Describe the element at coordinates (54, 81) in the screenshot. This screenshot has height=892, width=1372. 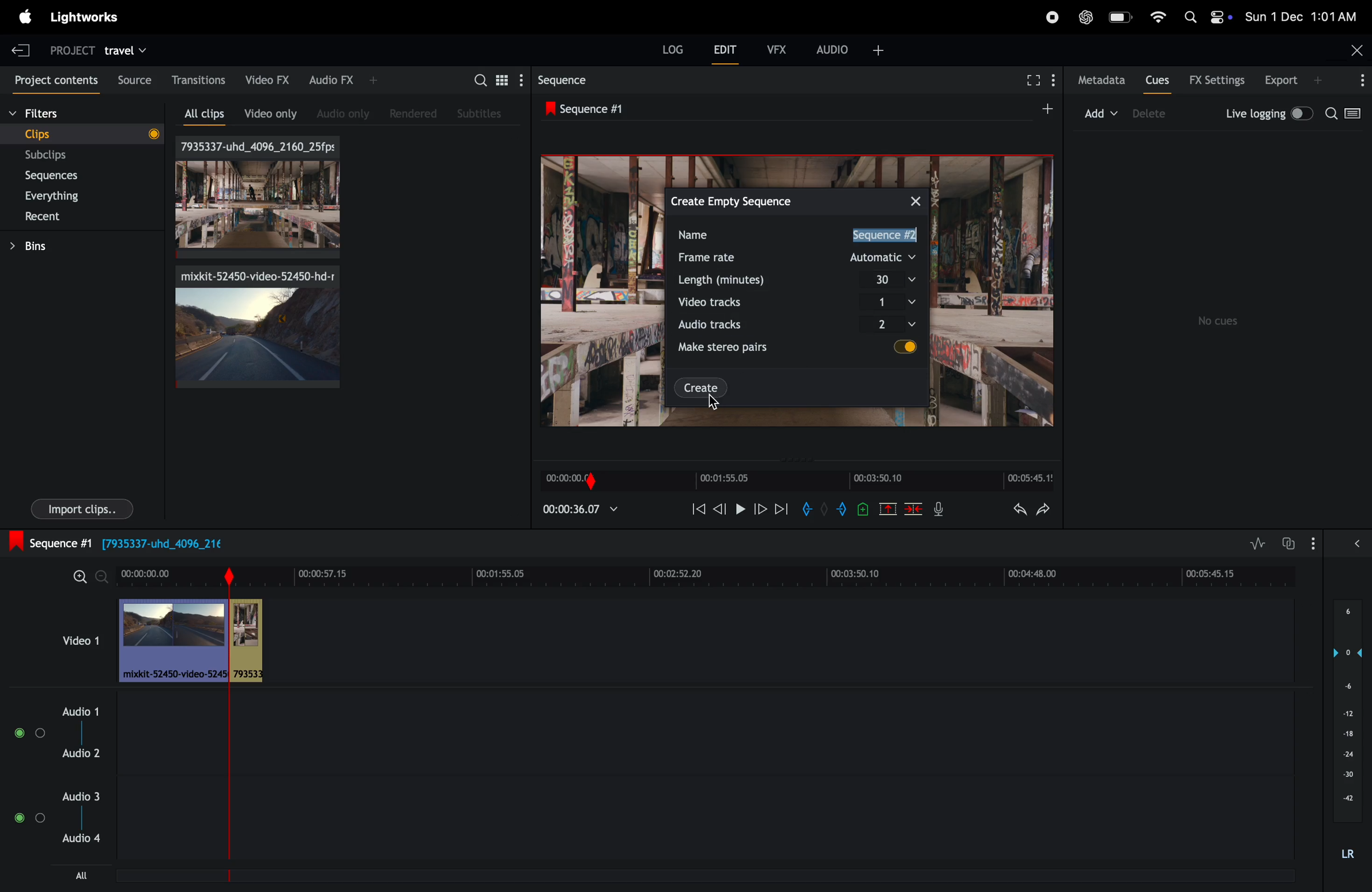
I see `project contents` at that location.